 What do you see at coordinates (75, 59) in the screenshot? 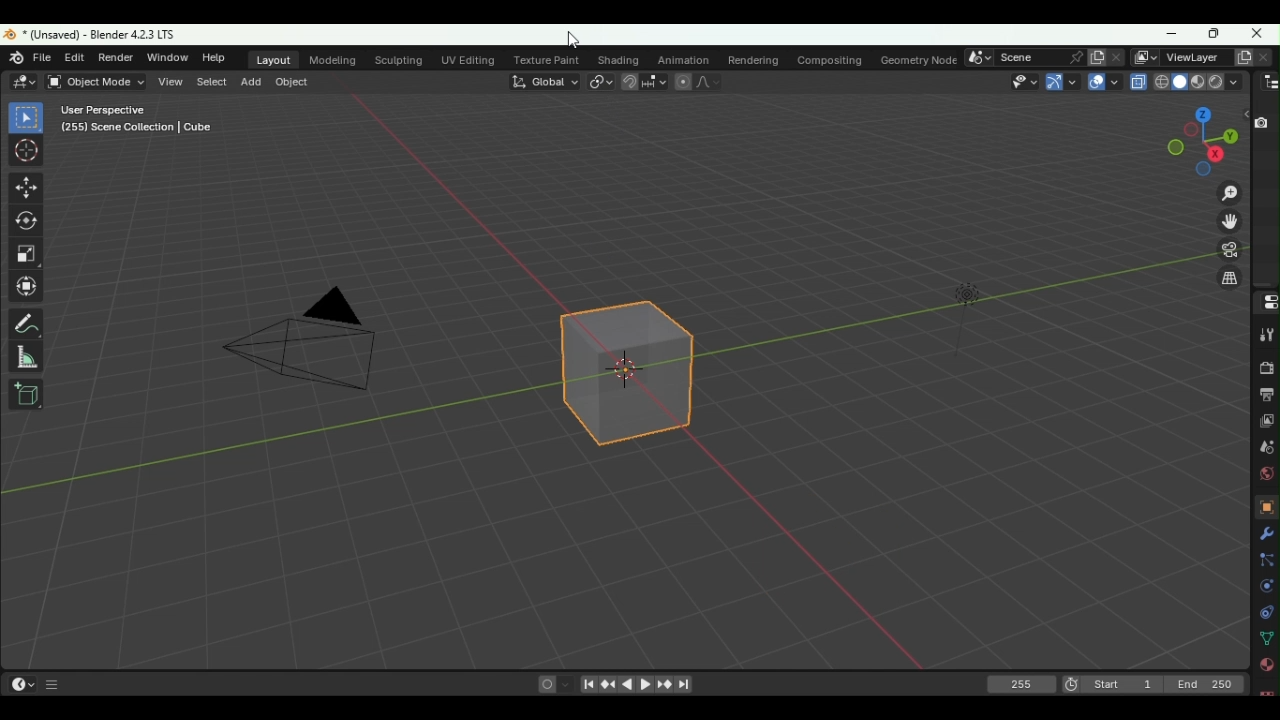
I see `Edit` at bounding box center [75, 59].